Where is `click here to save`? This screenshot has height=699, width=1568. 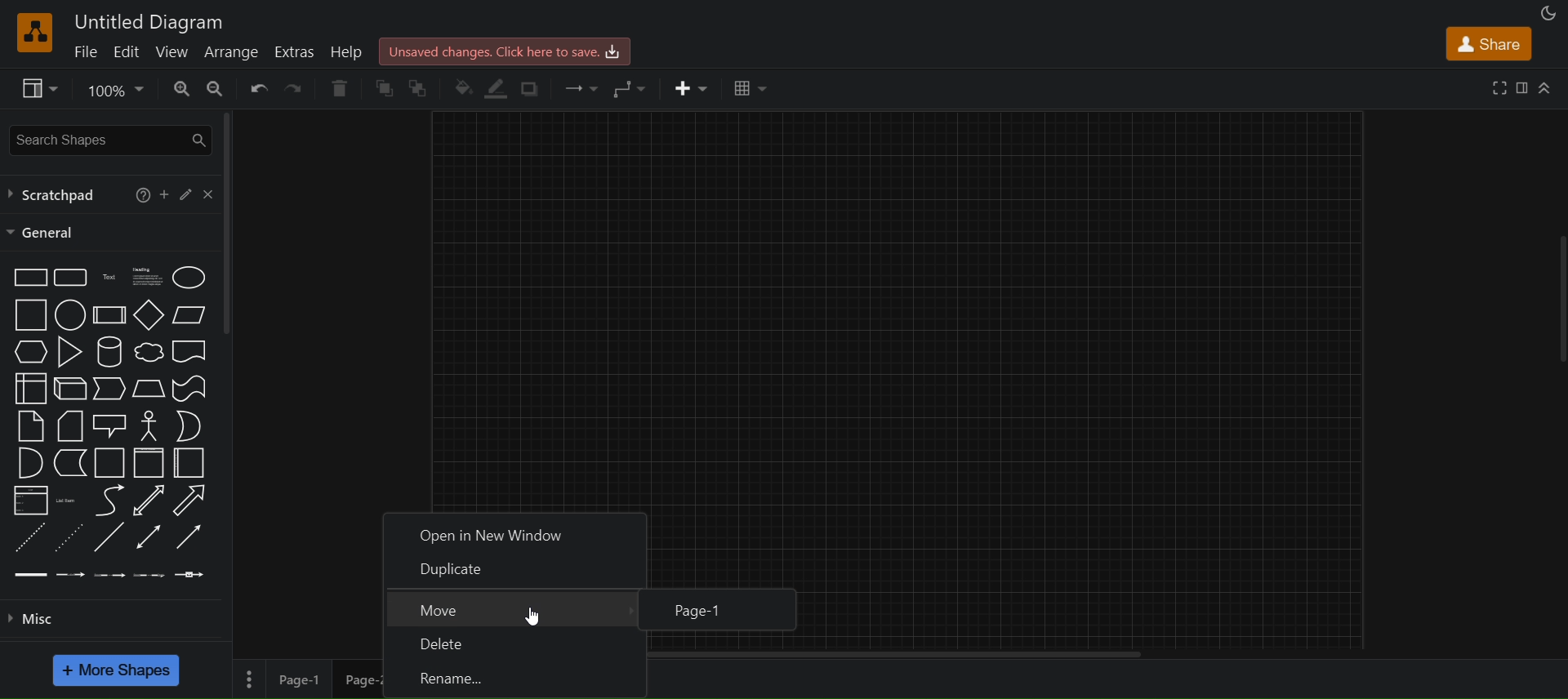
click here to save is located at coordinates (506, 50).